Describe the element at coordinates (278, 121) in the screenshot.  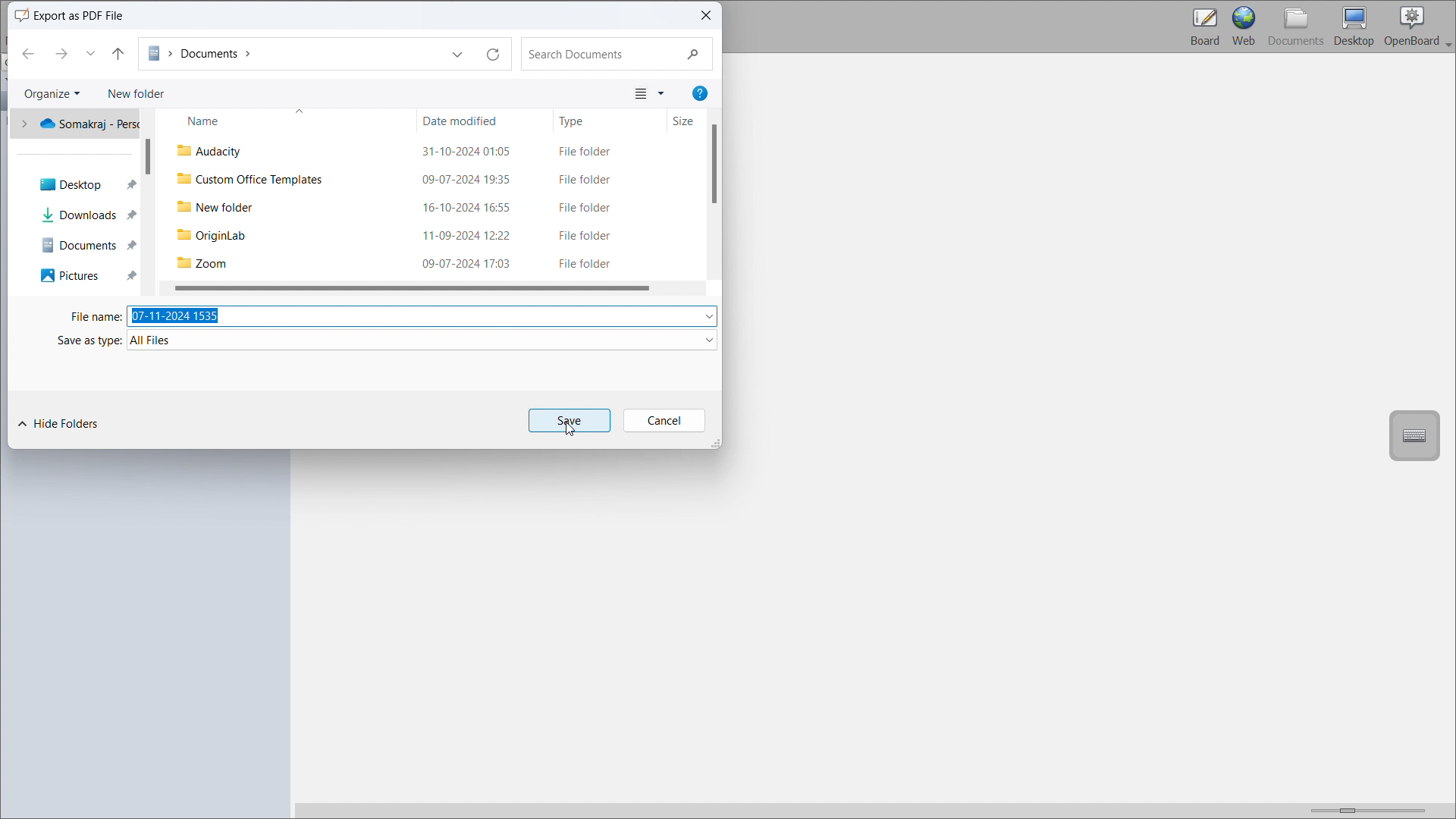
I see `name` at that location.